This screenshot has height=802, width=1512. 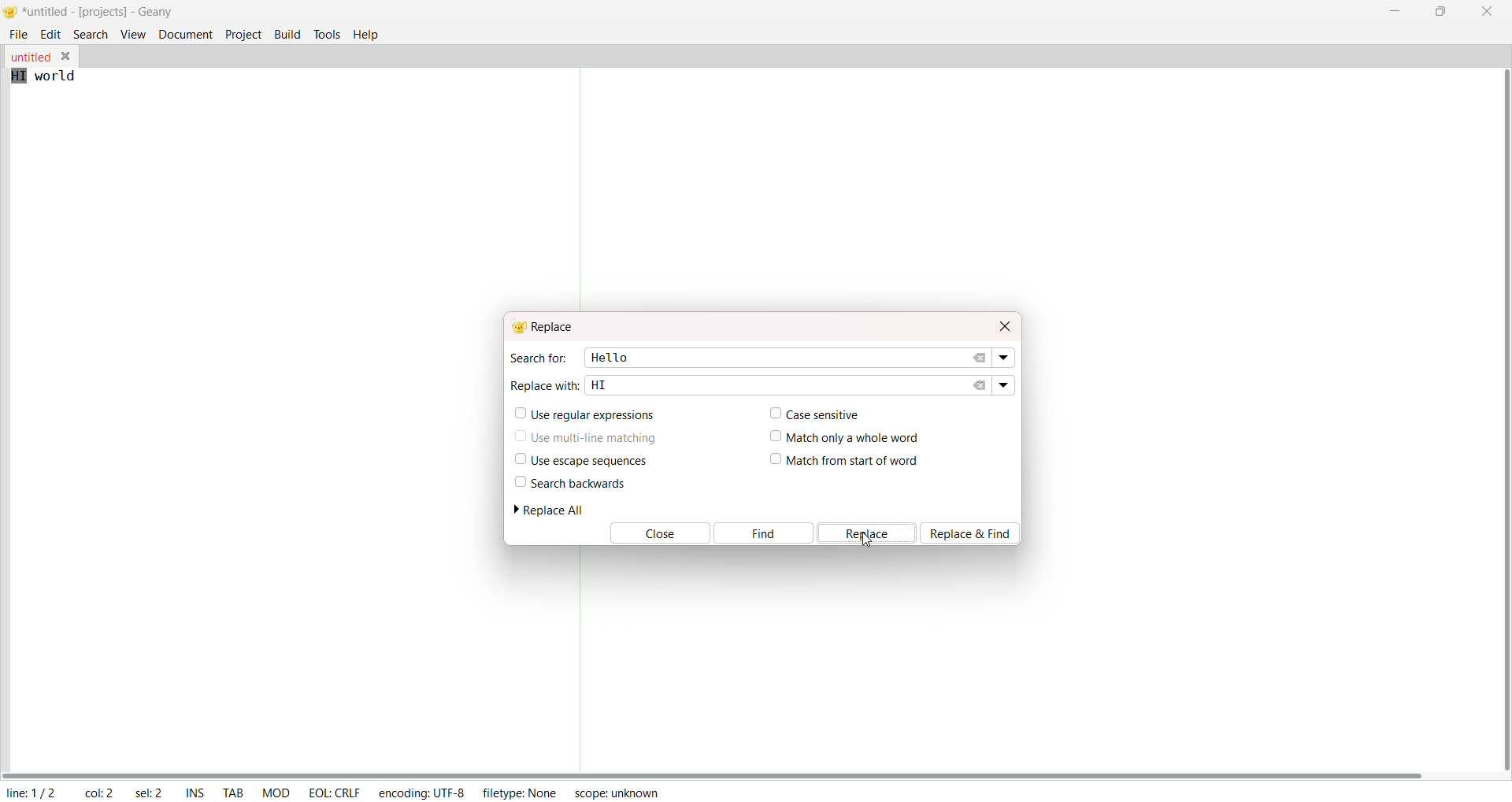 I want to click on *untitled-[projects]-Geany, so click(x=113, y=12).